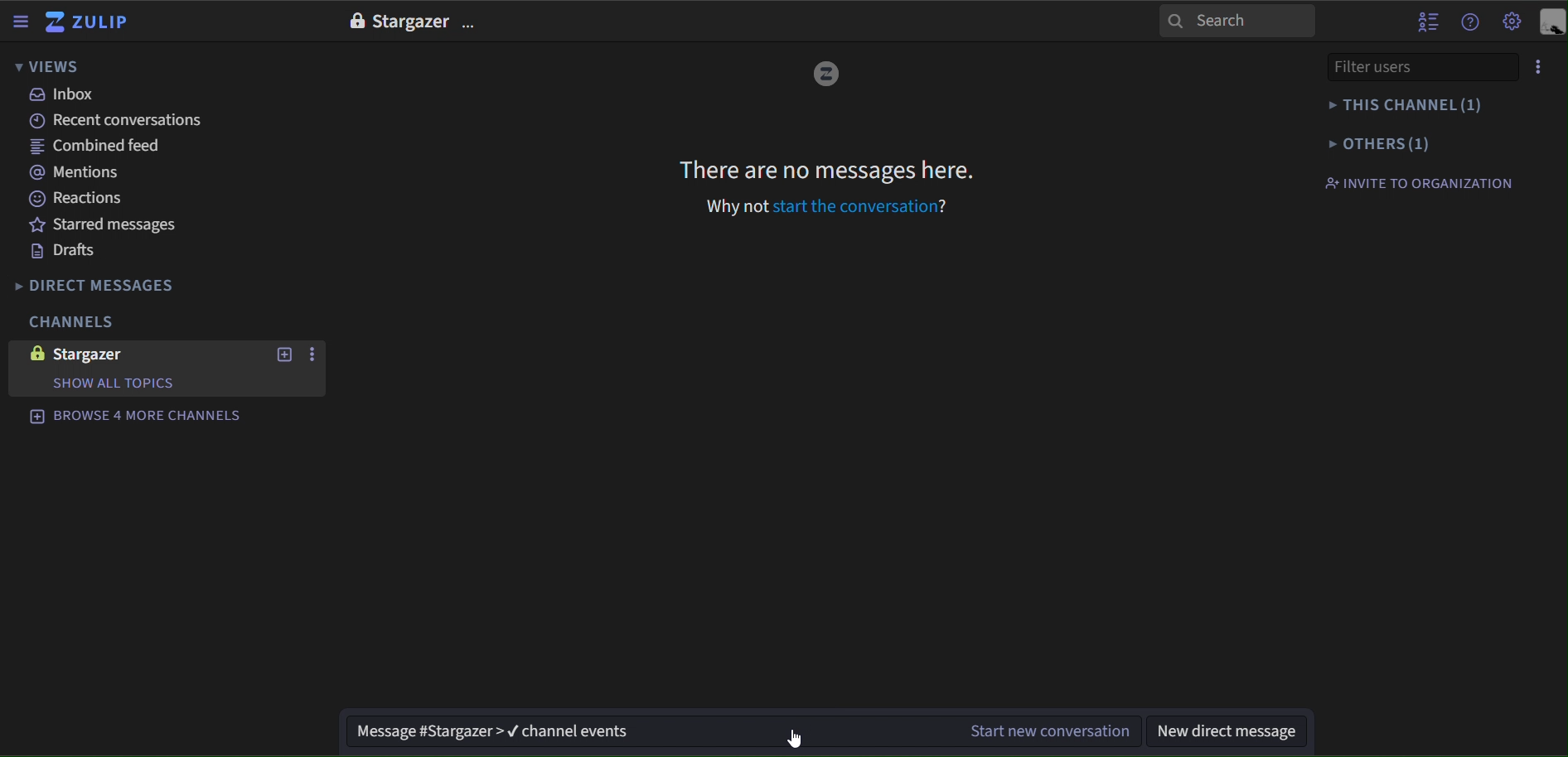 Image resolution: width=1568 pixels, height=757 pixels. Describe the element at coordinates (70, 323) in the screenshot. I see `channels` at that location.